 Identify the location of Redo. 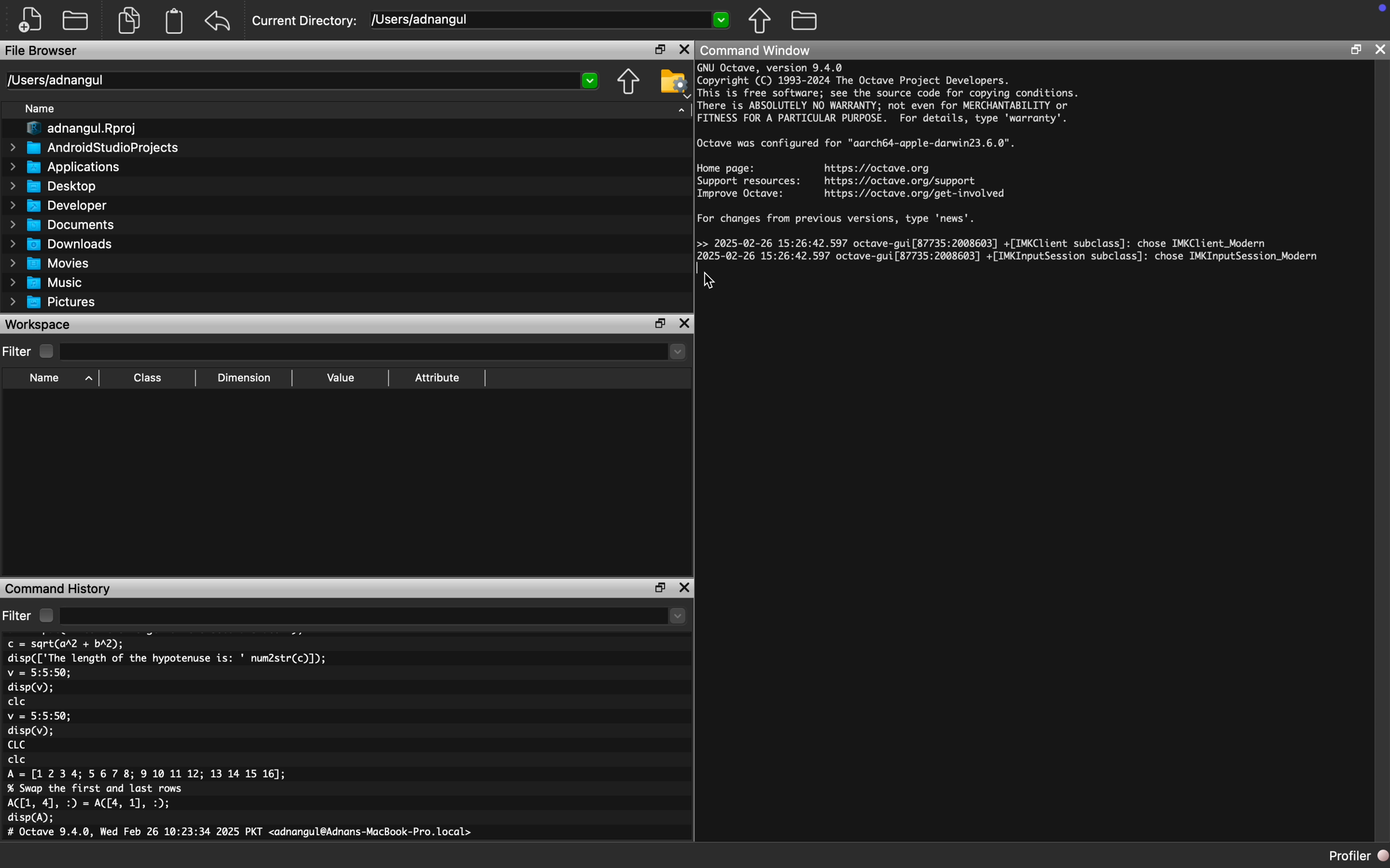
(219, 21).